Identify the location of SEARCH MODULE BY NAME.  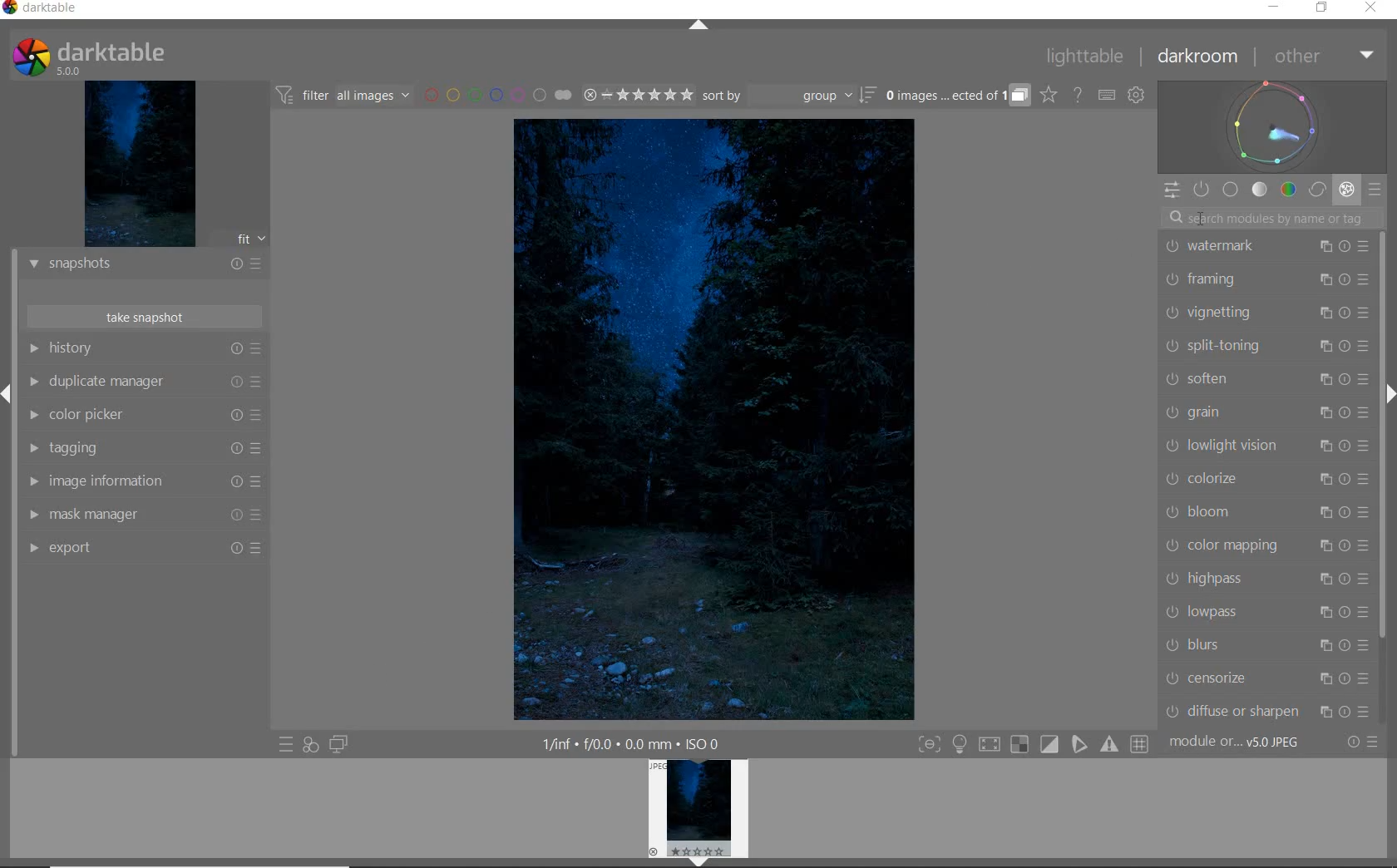
(1269, 217).